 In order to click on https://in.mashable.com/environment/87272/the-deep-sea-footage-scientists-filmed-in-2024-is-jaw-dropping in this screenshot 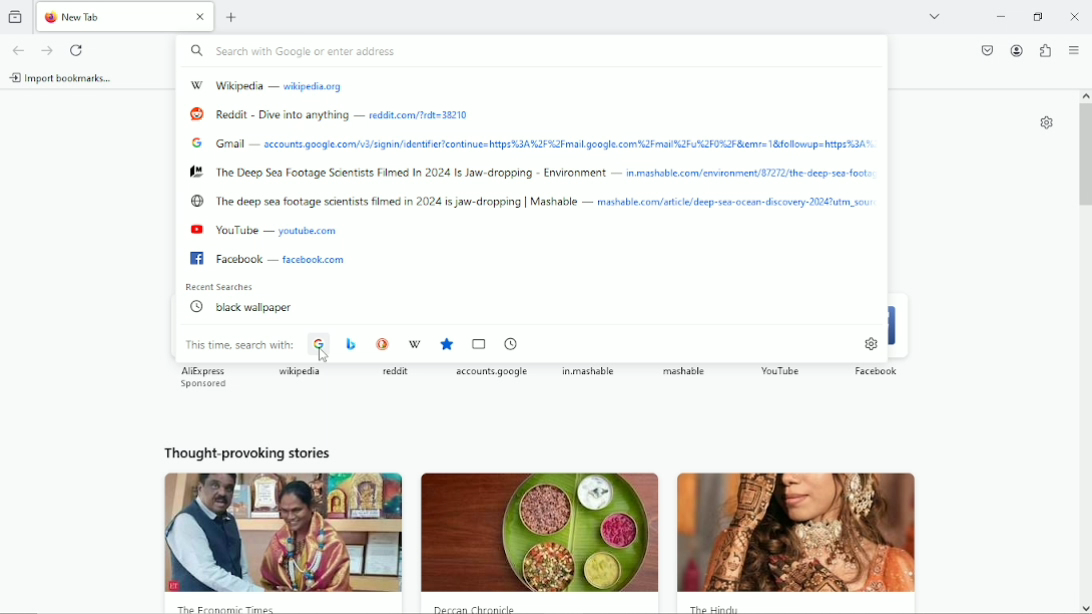, I will do `click(754, 173)`.